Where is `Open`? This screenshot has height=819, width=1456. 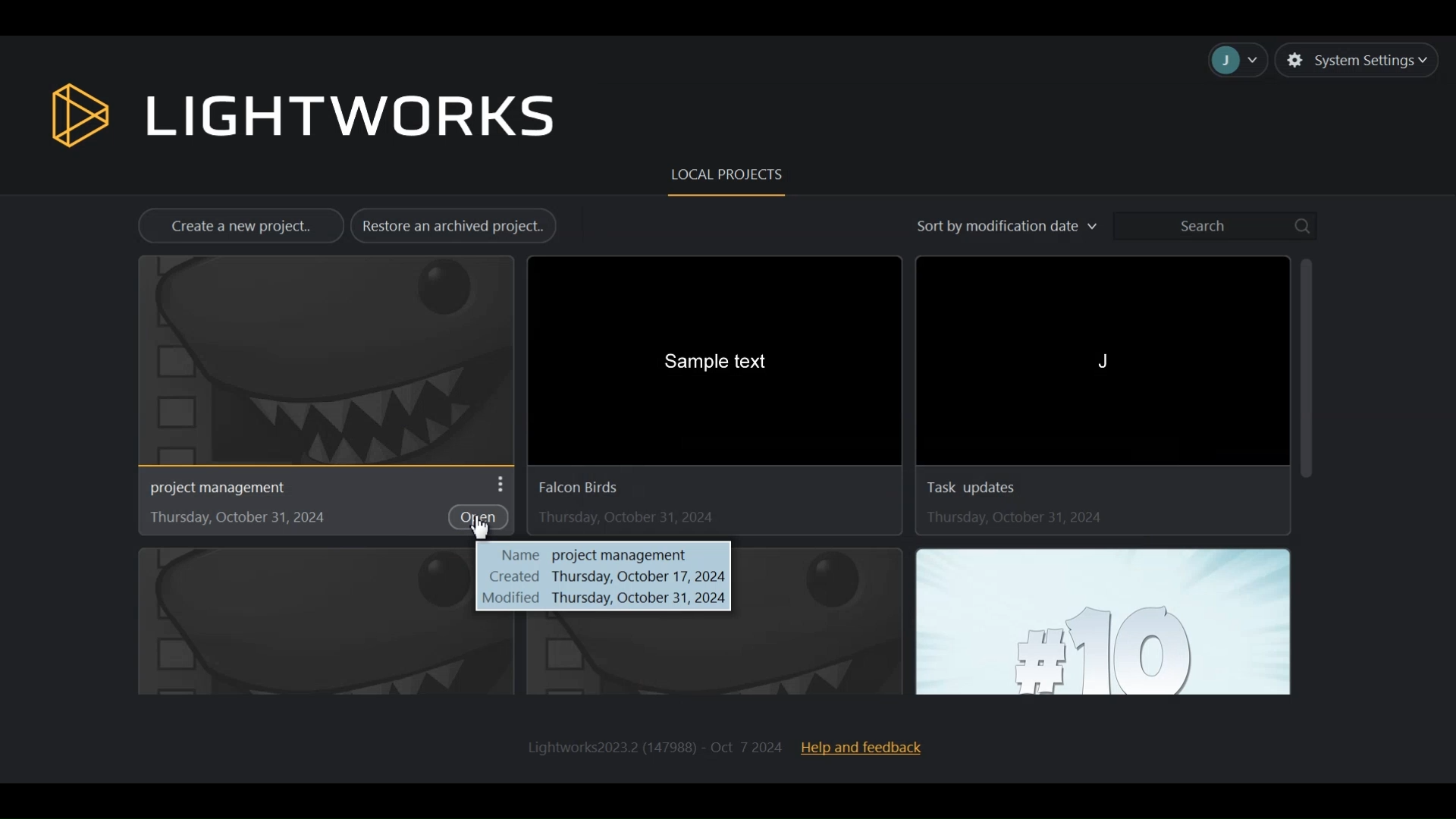
Open is located at coordinates (478, 517).